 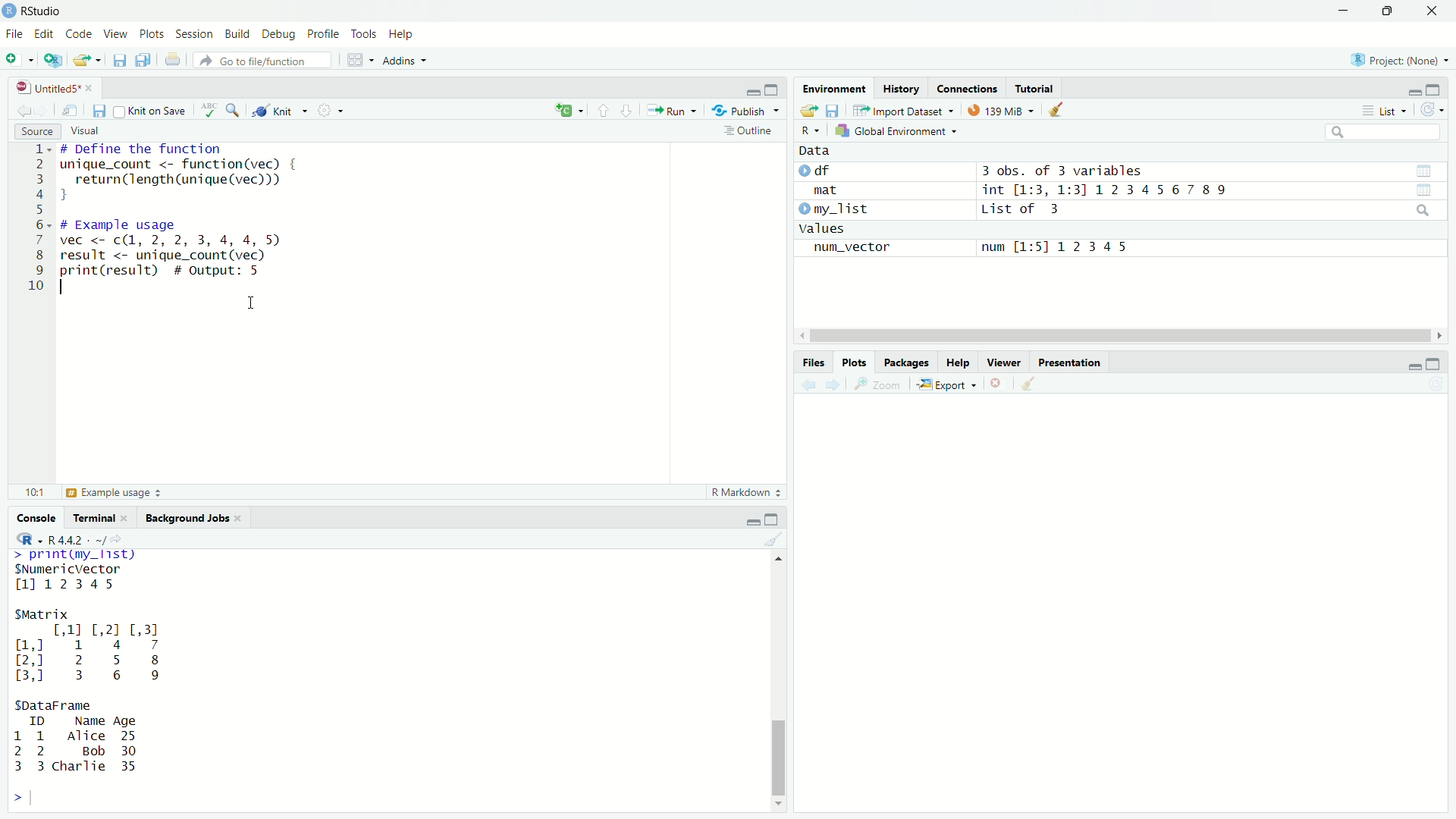 What do you see at coordinates (46, 36) in the screenshot?
I see `Edit` at bounding box center [46, 36].